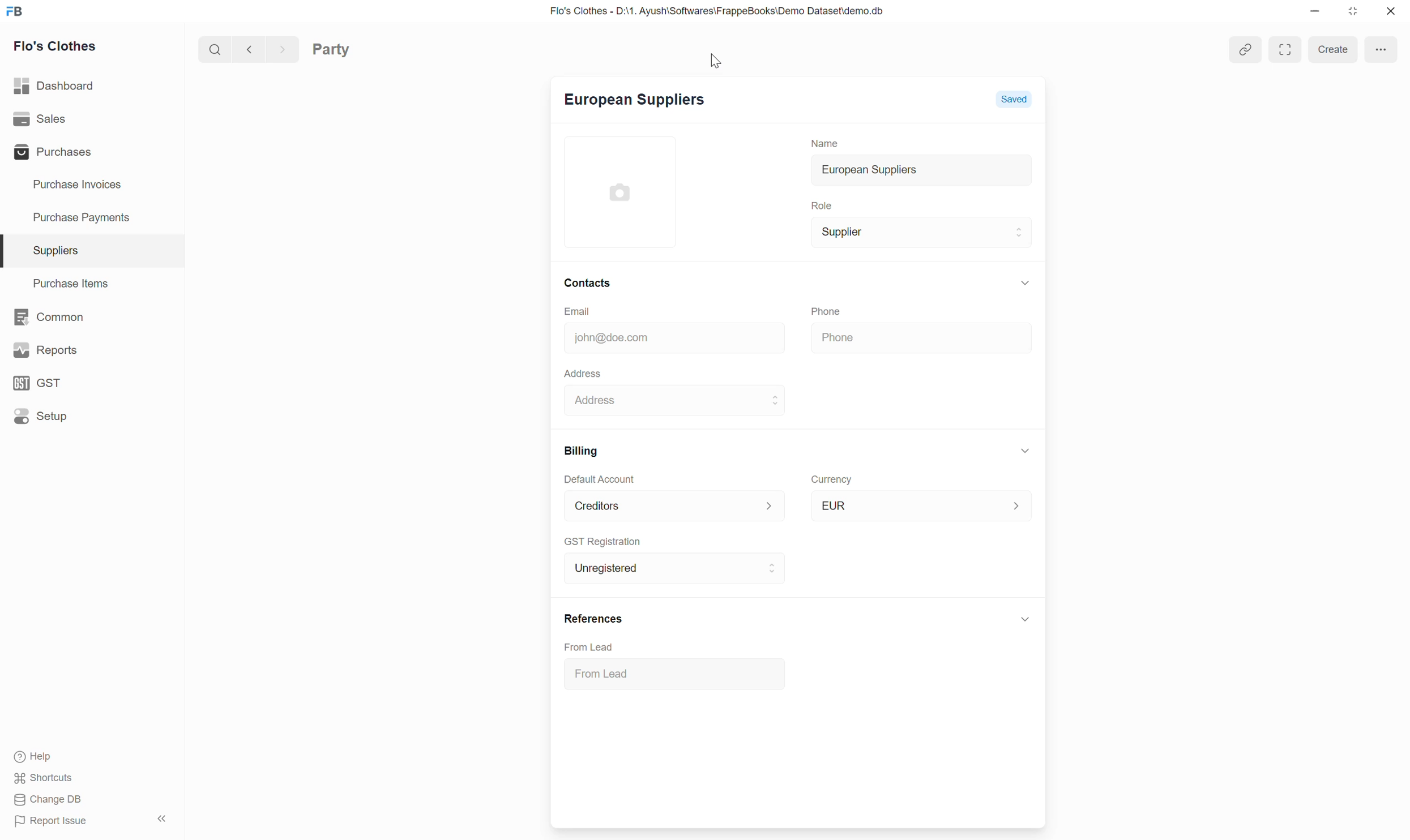 This screenshot has width=1410, height=840. Describe the element at coordinates (589, 618) in the screenshot. I see `References` at that location.